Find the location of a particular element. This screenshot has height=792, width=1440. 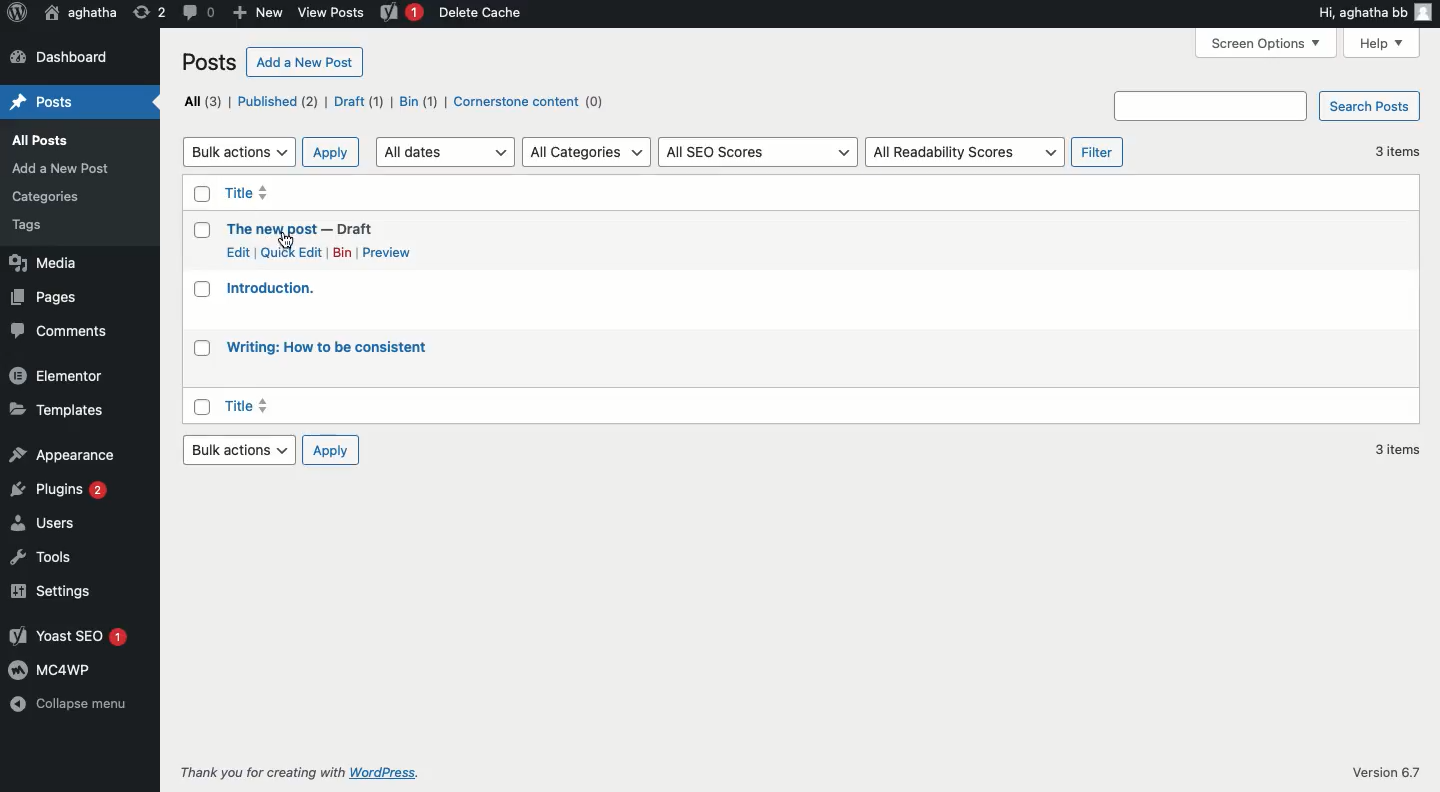

Categories is located at coordinates (47, 197).